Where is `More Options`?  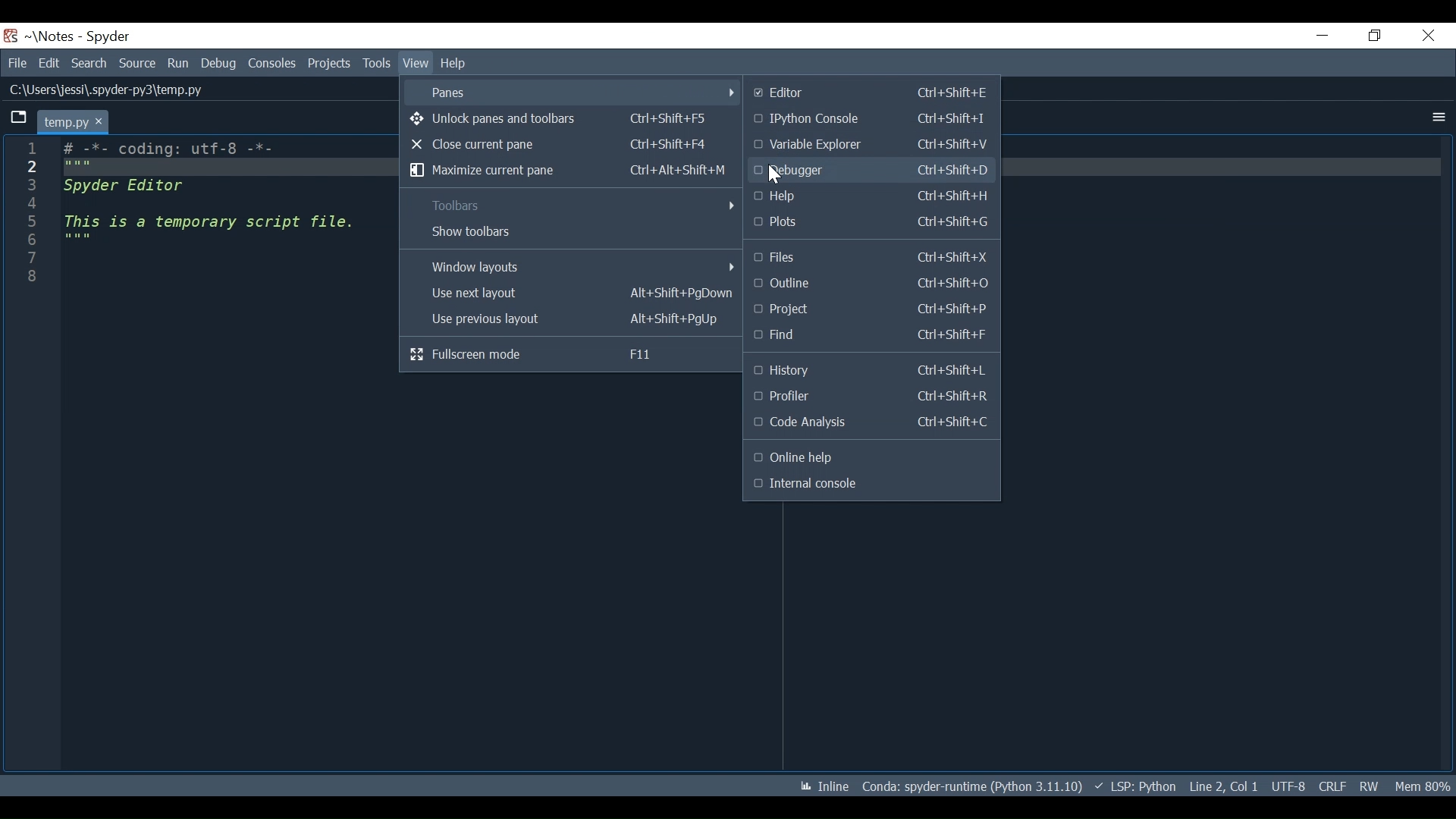 More Options is located at coordinates (1439, 118).